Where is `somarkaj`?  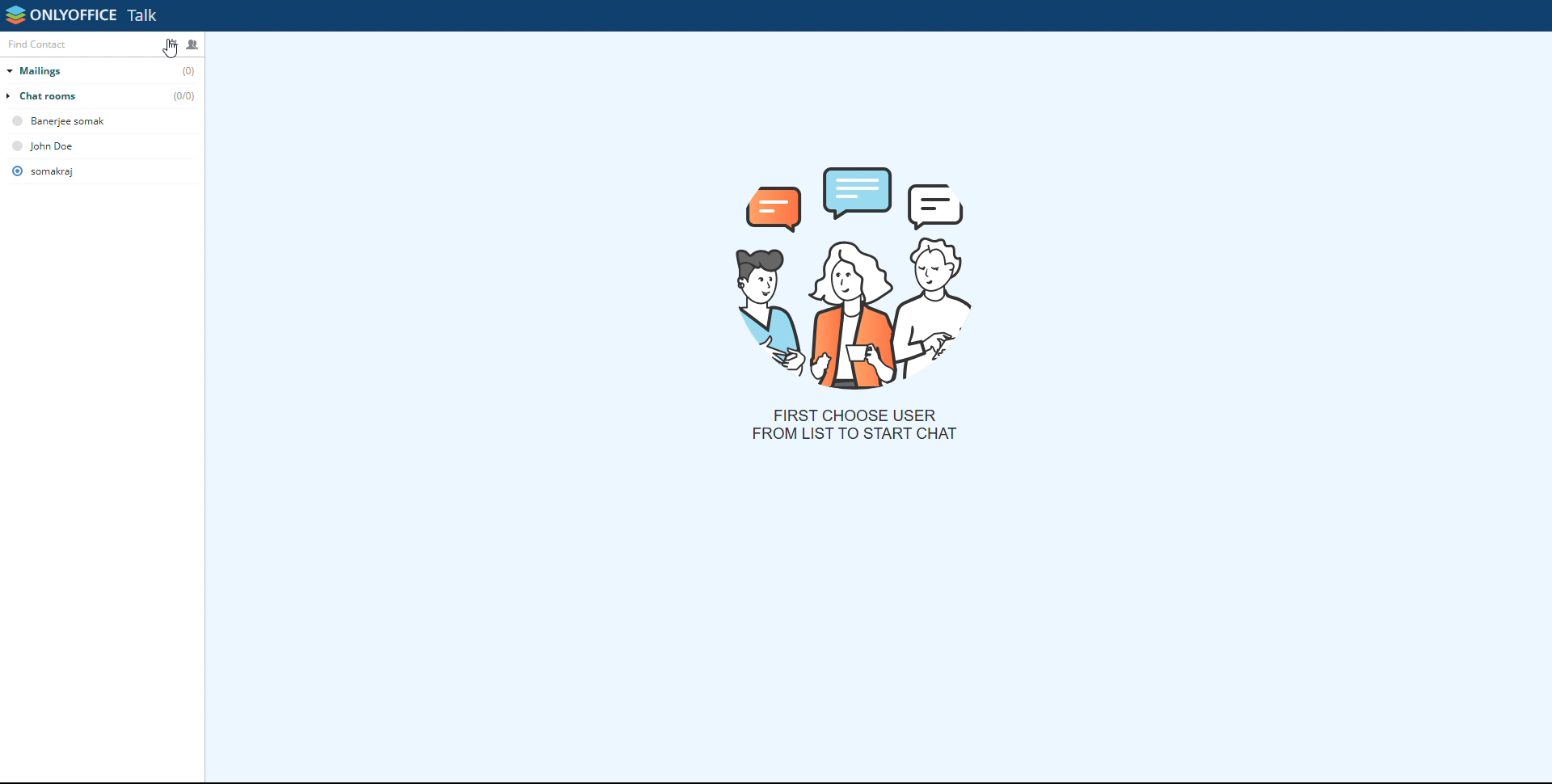 somarkaj is located at coordinates (53, 171).